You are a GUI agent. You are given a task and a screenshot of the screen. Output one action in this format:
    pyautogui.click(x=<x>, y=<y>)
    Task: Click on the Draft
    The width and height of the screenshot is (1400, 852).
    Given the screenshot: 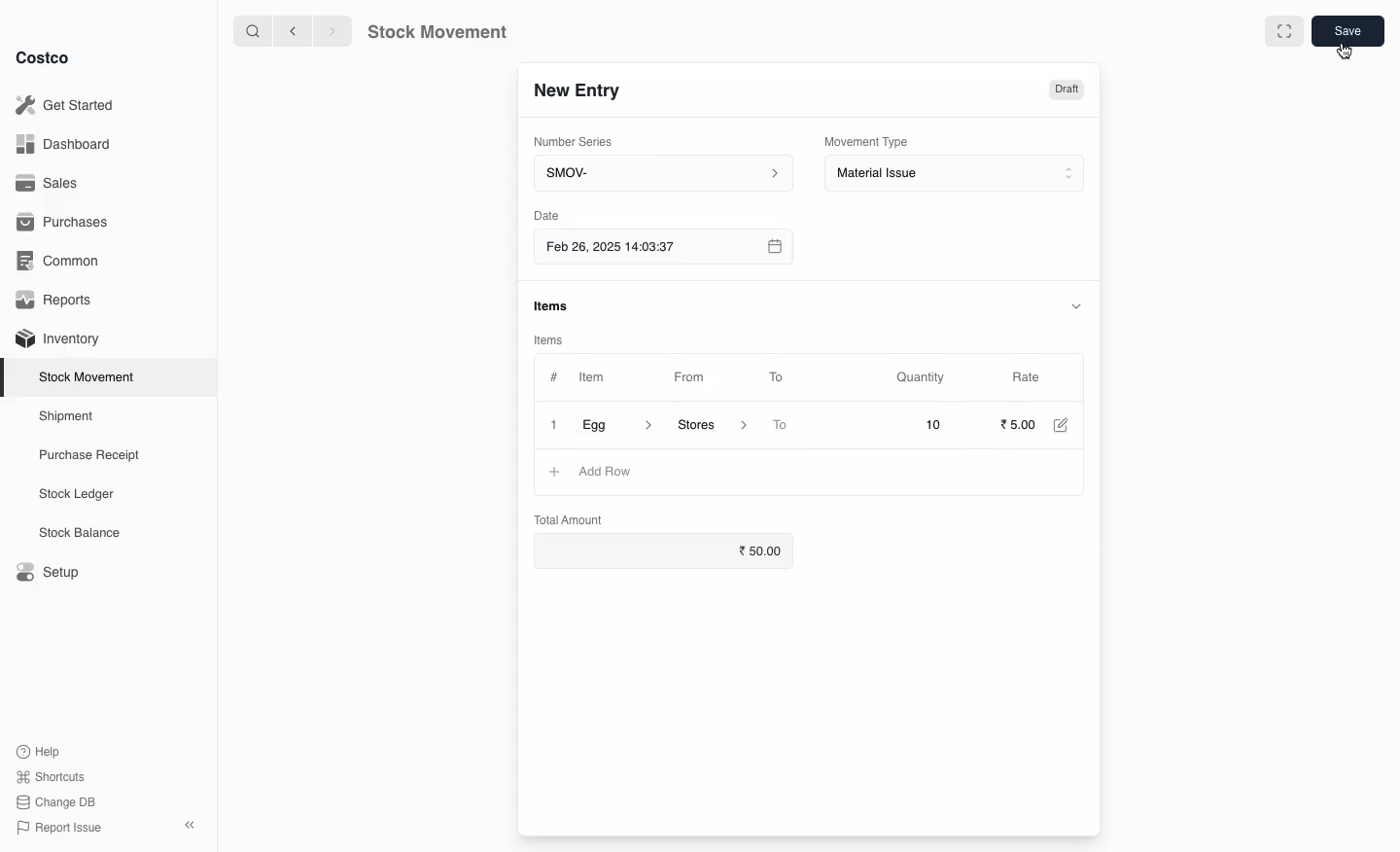 What is the action you would take?
    pyautogui.click(x=1066, y=91)
    